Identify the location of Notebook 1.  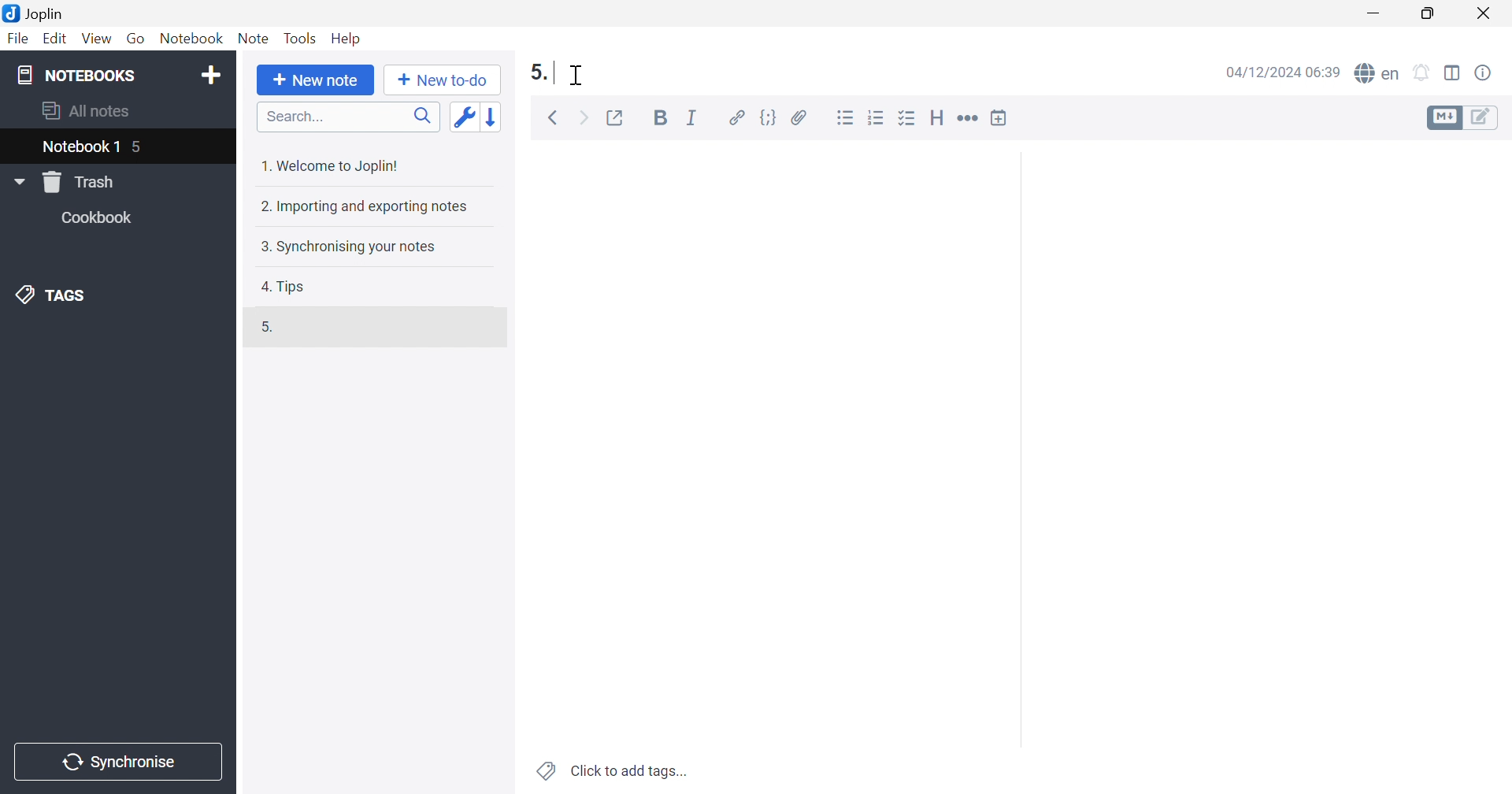
(80, 149).